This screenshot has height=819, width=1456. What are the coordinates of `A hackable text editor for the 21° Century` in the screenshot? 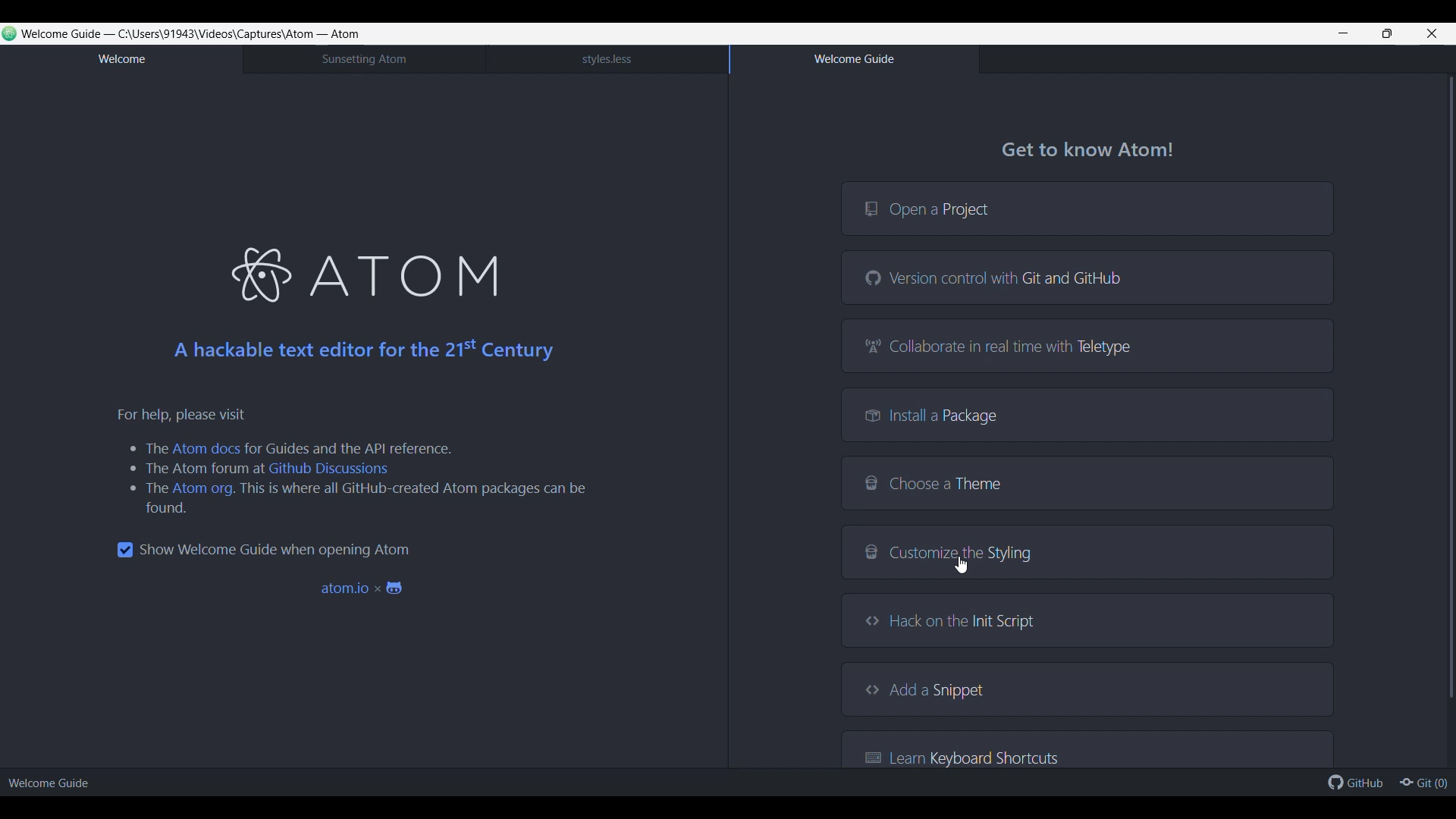 It's located at (358, 354).